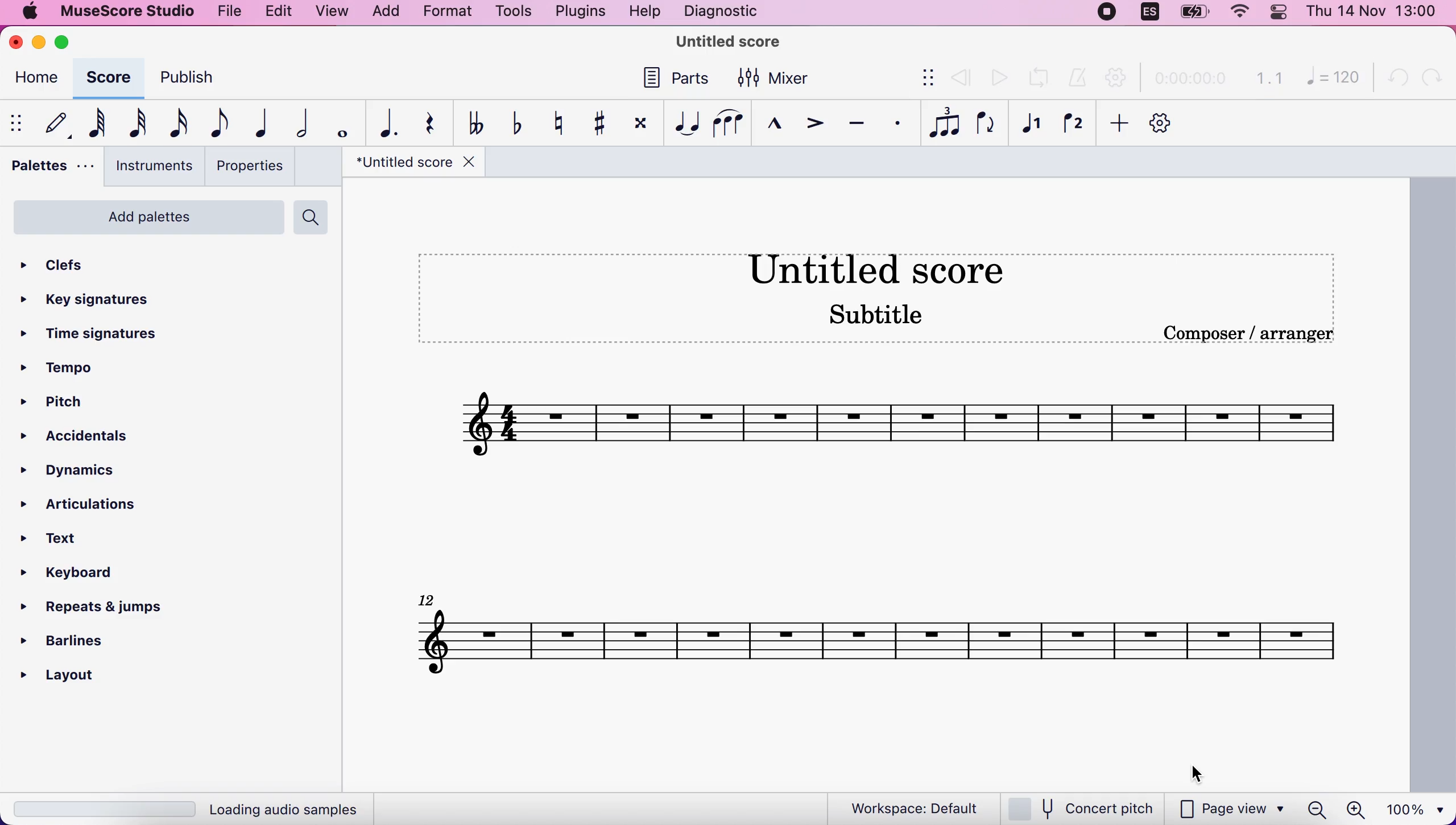 The width and height of the screenshot is (1456, 825). I want to click on mac logo, so click(28, 11).